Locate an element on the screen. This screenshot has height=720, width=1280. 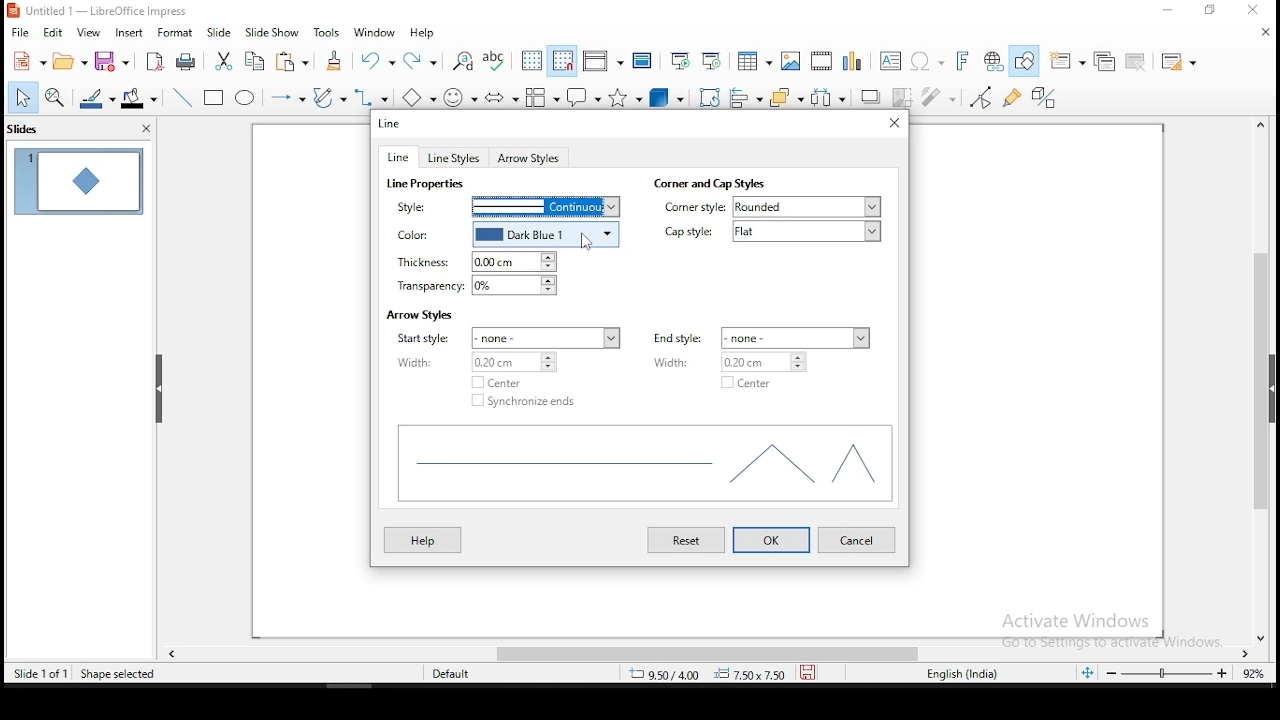
scroll bar is located at coordinates (687, 651).